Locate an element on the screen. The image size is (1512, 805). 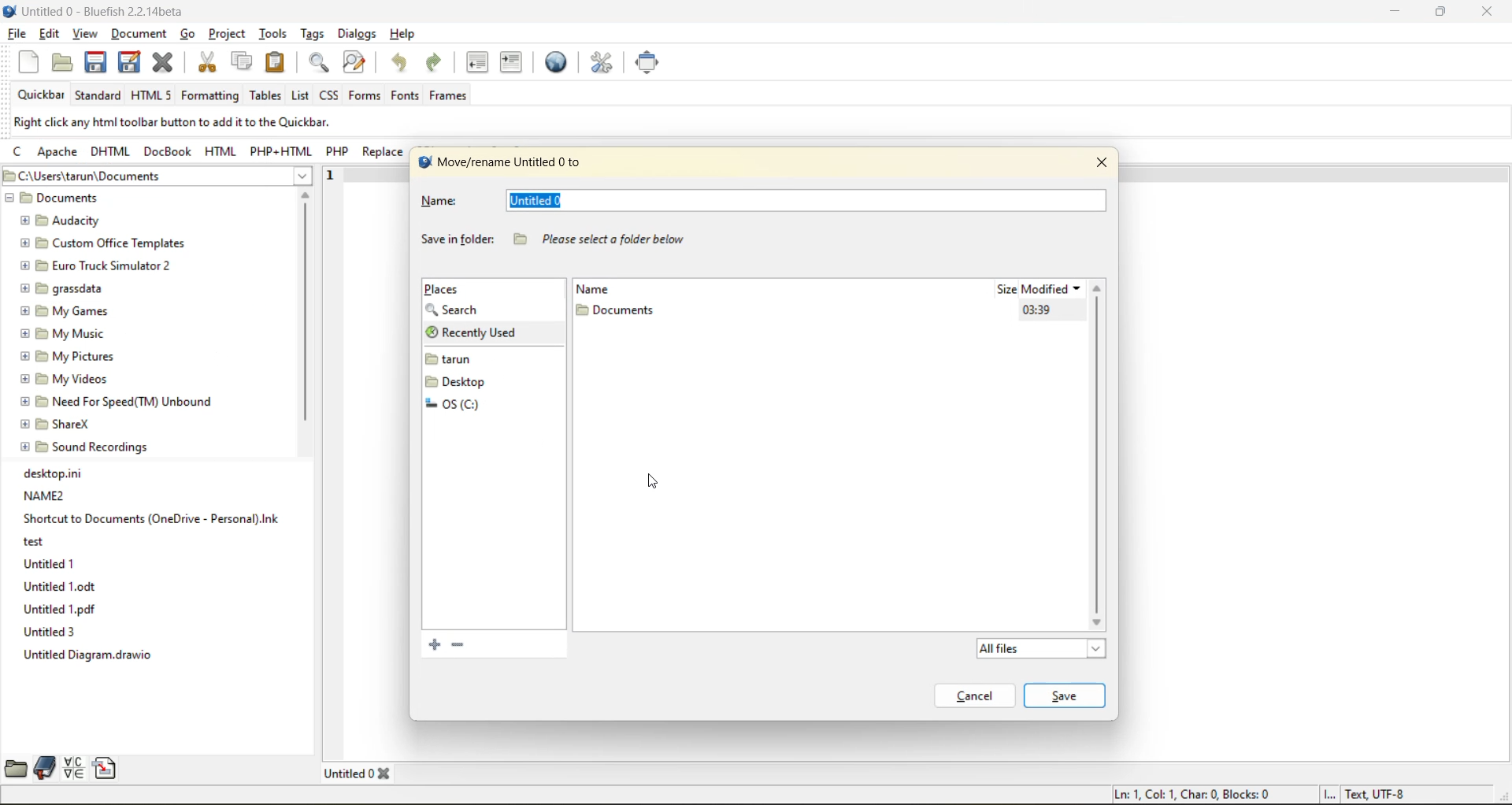
folders is located at coordinates (465, 380).